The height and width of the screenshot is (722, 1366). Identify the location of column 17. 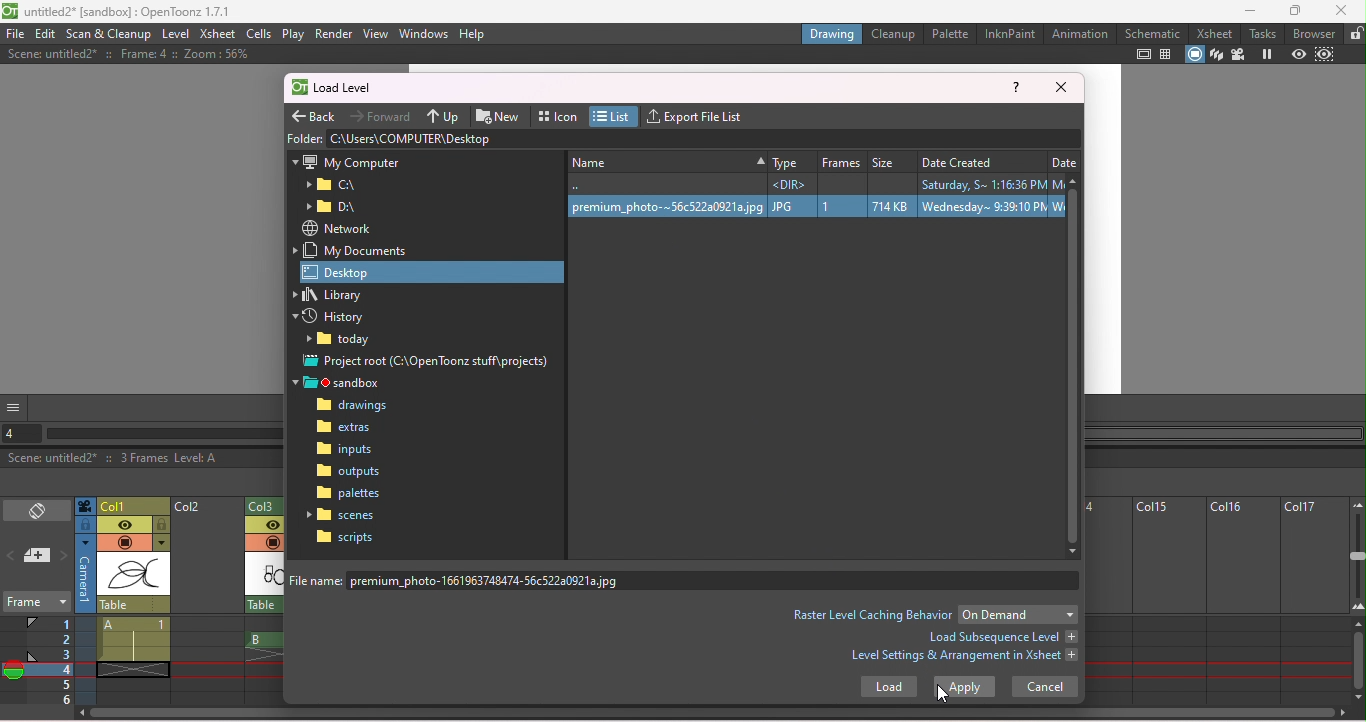
(1314, 601).